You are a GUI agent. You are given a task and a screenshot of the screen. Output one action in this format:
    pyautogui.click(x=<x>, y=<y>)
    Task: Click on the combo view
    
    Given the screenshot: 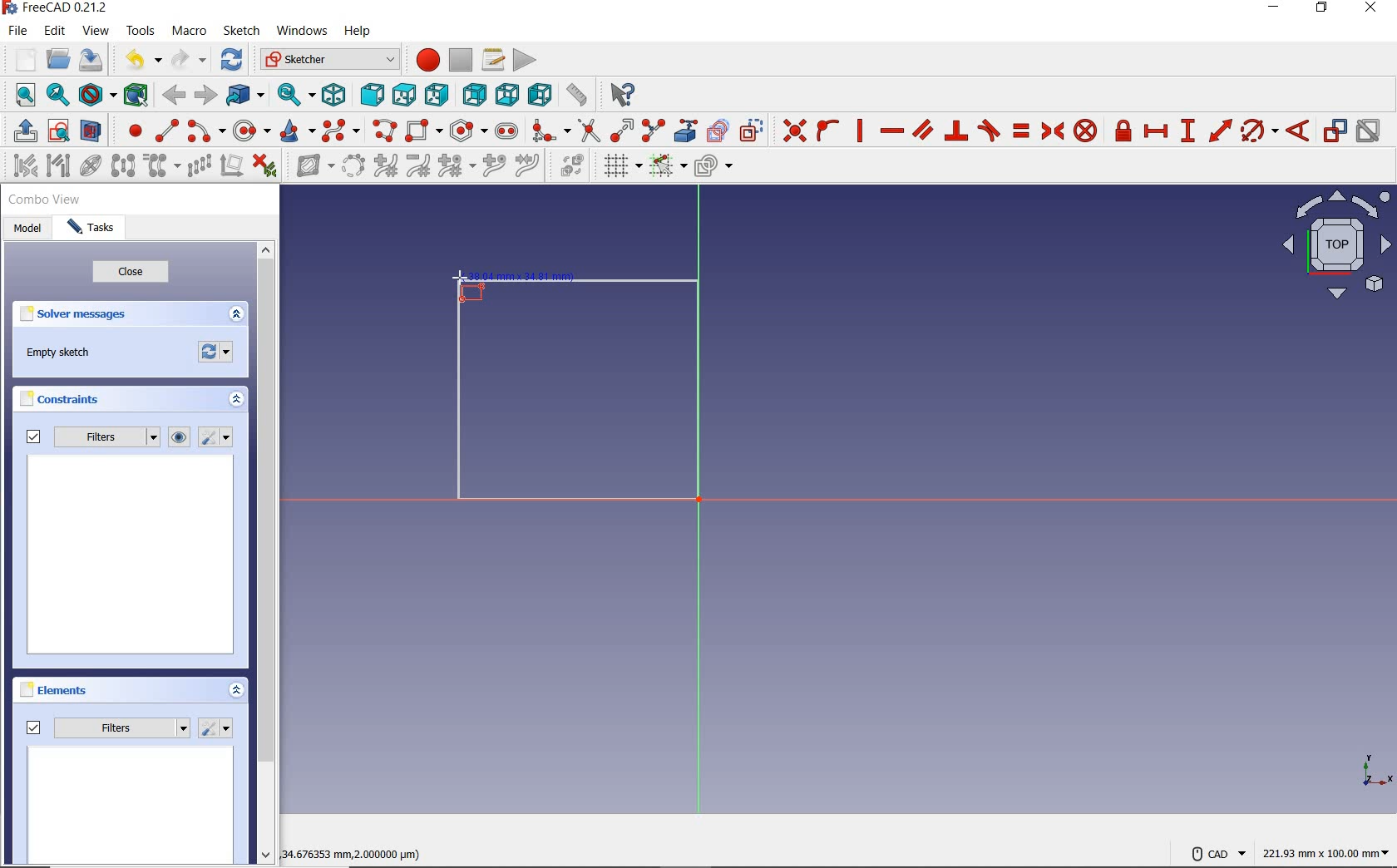 What is the action you would take?
    pyautogui.click(x=45, y=202)
    